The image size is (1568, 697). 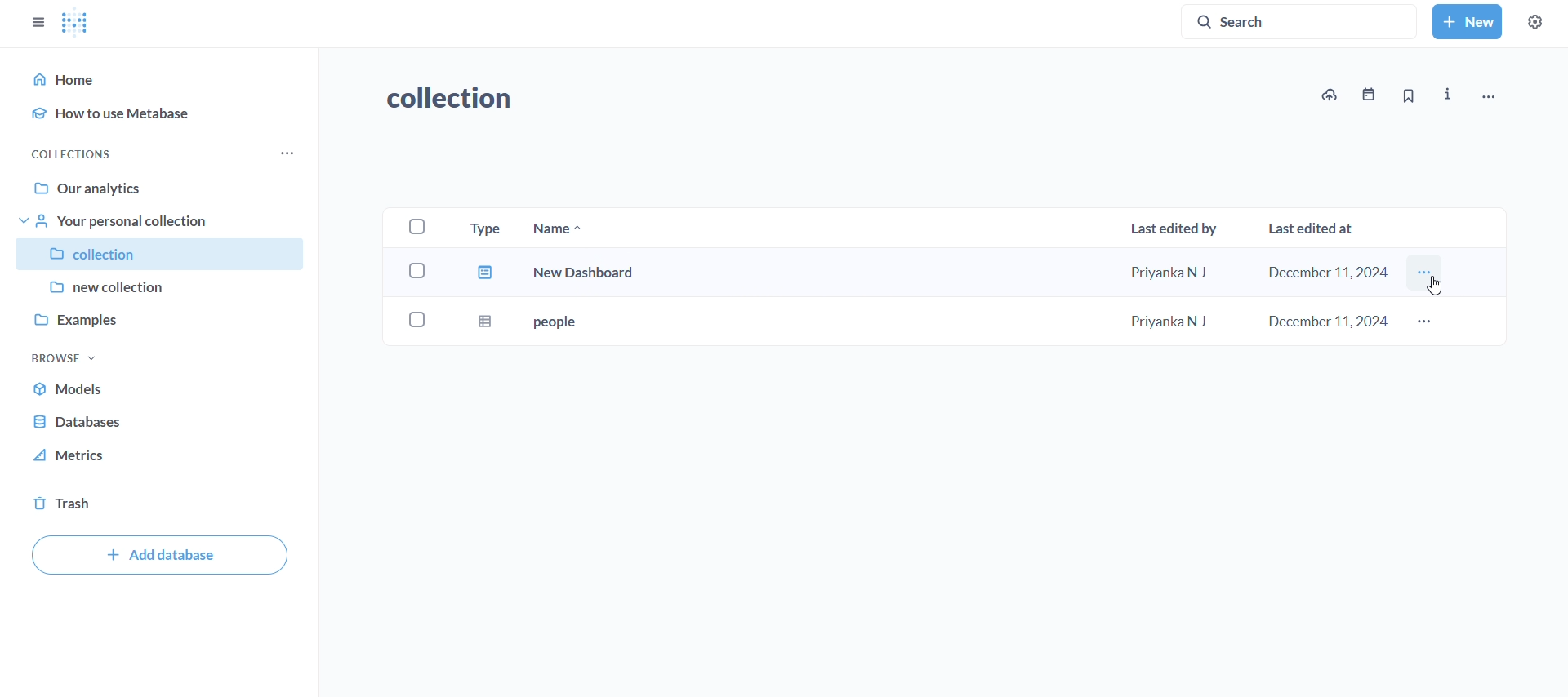 What do you see at coordinates (1436, 283) in the screenshot?
I see `cursor` at bounding box center [1436, 283].